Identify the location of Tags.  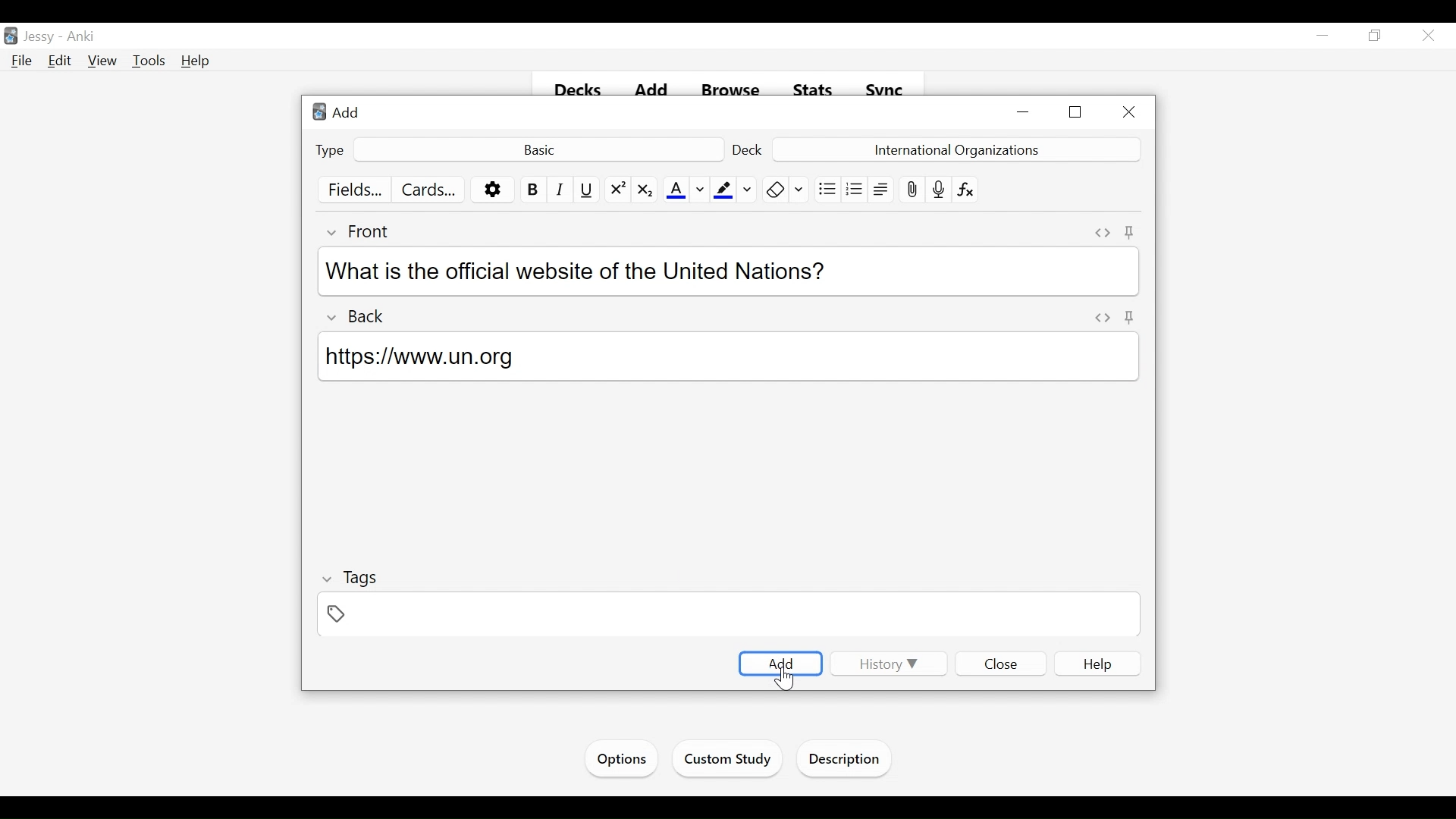
(352, 577).